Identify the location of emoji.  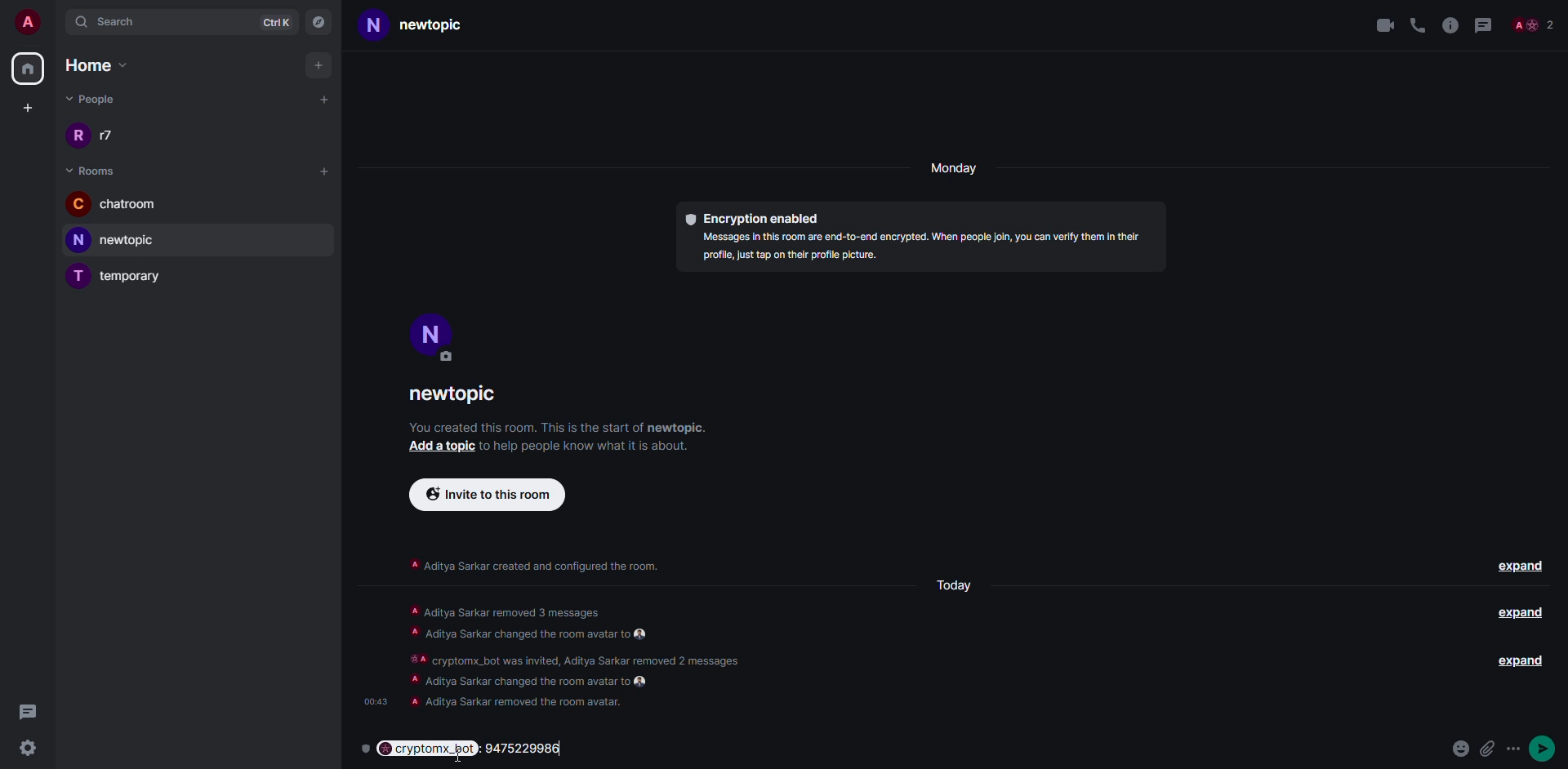
(1463, 749).